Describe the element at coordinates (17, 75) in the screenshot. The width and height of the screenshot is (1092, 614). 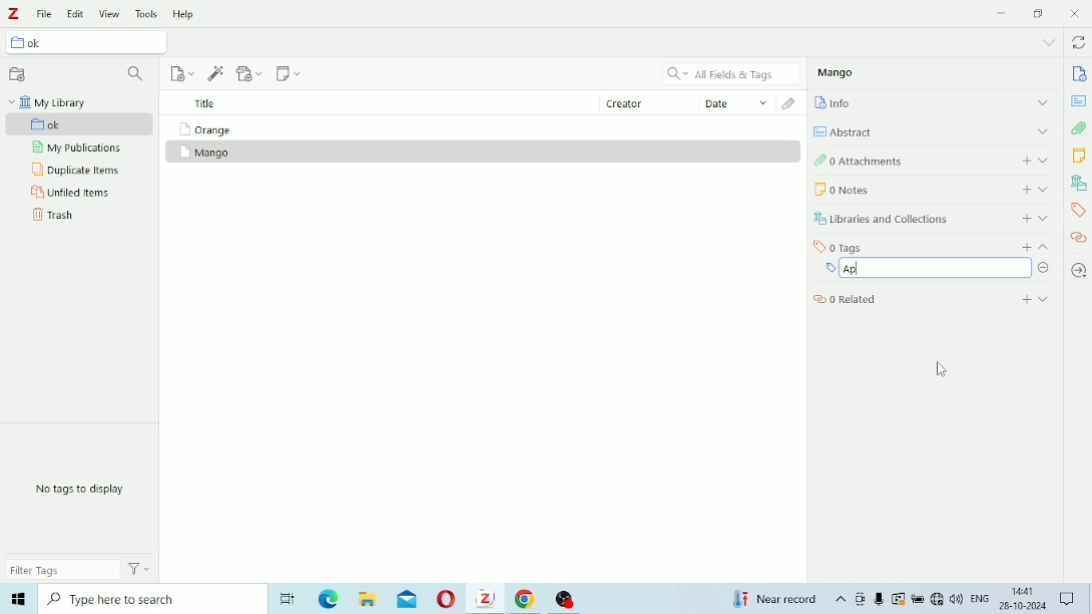
I see `New Collection` at that location.